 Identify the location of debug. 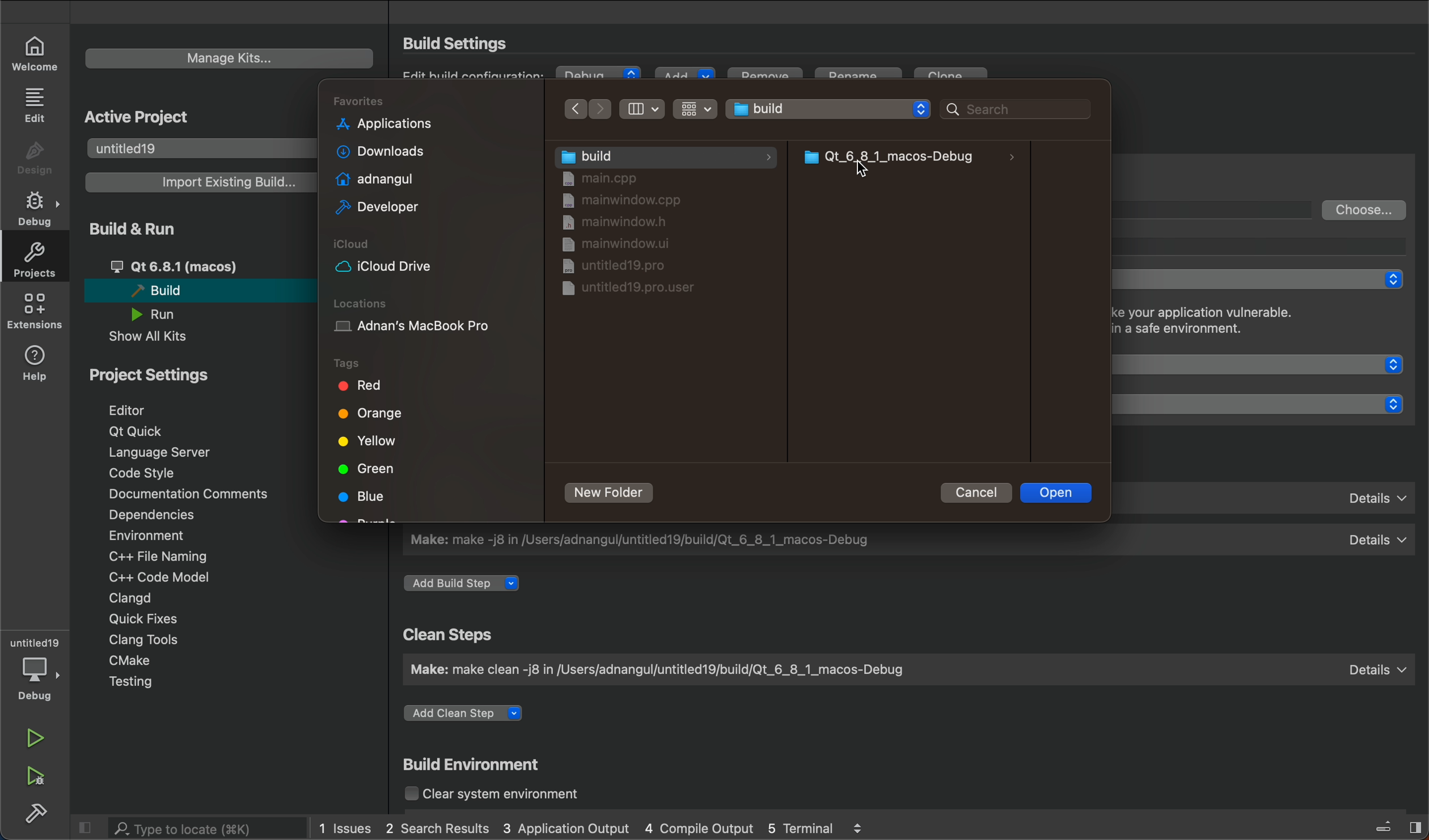
(39, 679).